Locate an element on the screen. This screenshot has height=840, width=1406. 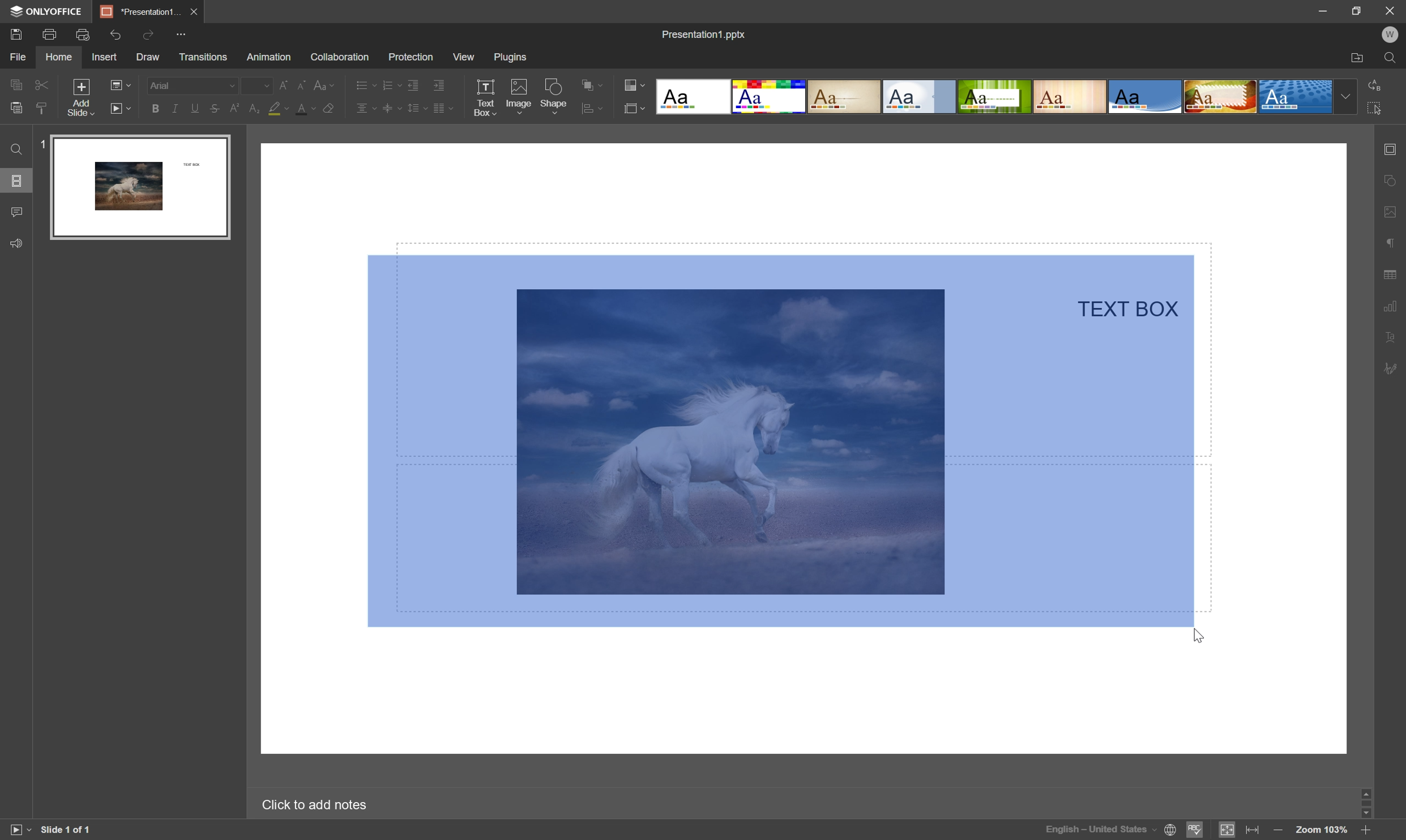
animation is located at coordinates (269, 57).